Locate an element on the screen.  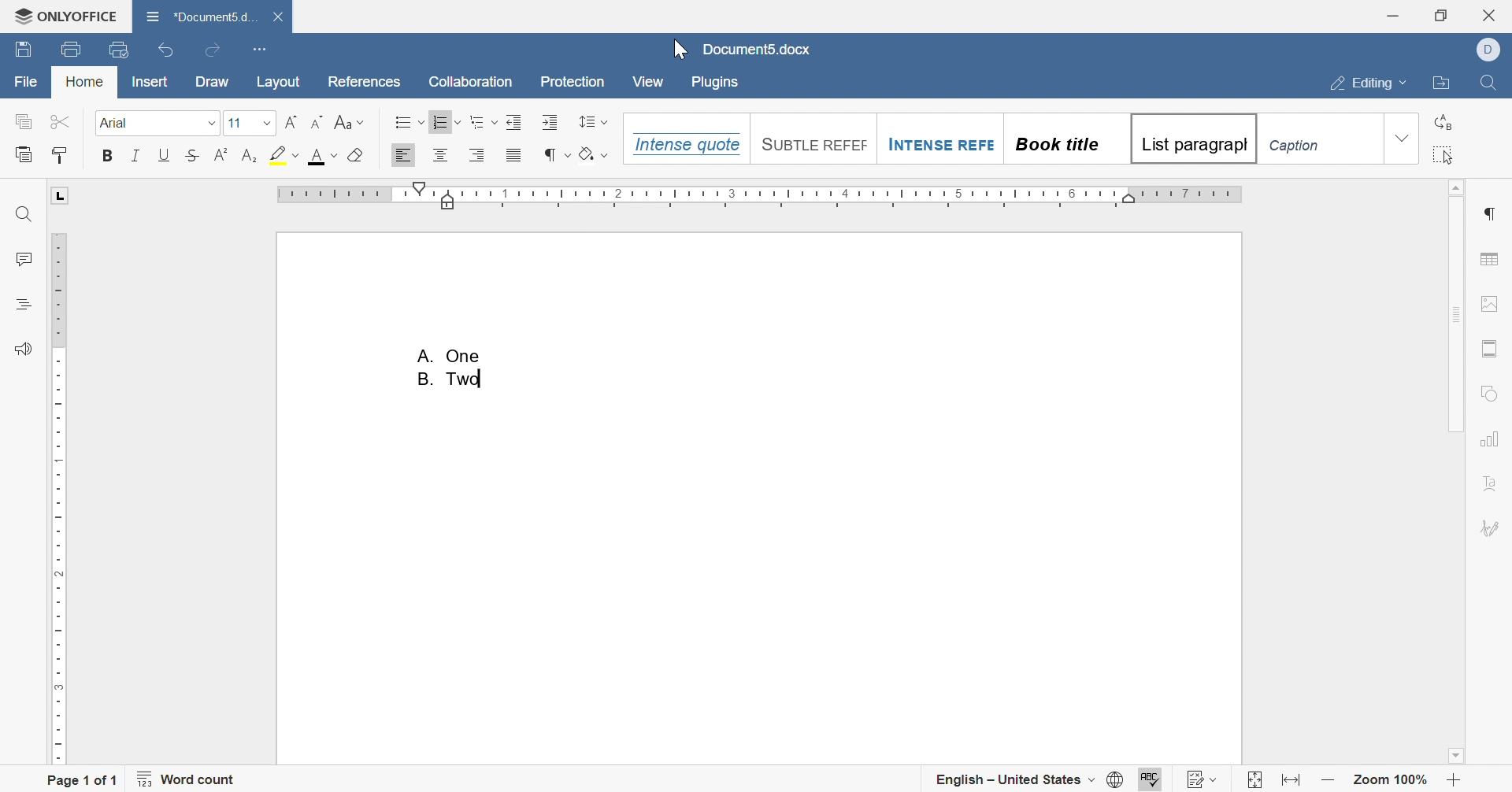
plugins is located at coordinates (713, 83).